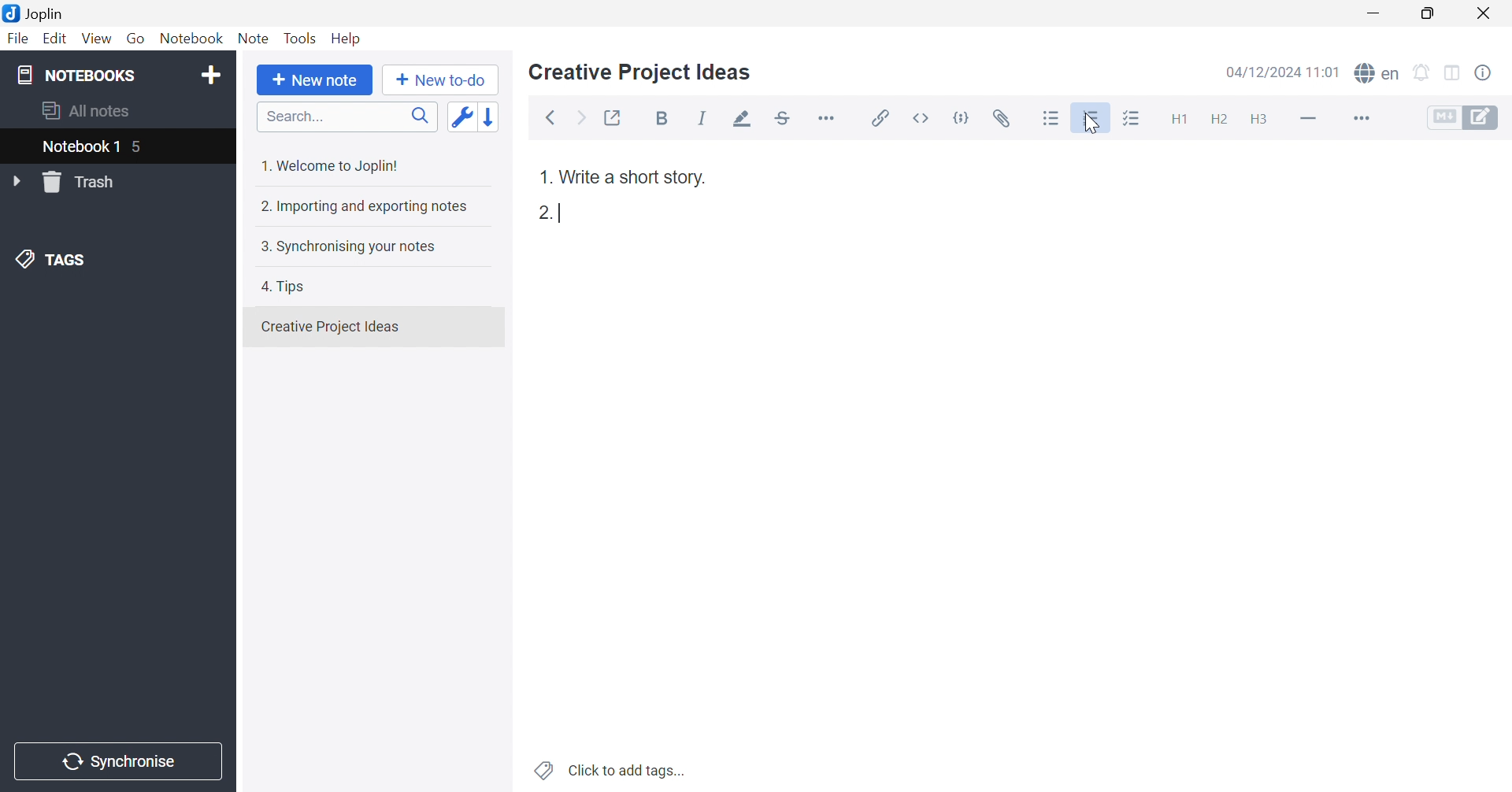 The width and height of the screenshot is (1512, 792). Describe the element at coordinates (313, 80) in the screenshot. I see `New note` at that location.